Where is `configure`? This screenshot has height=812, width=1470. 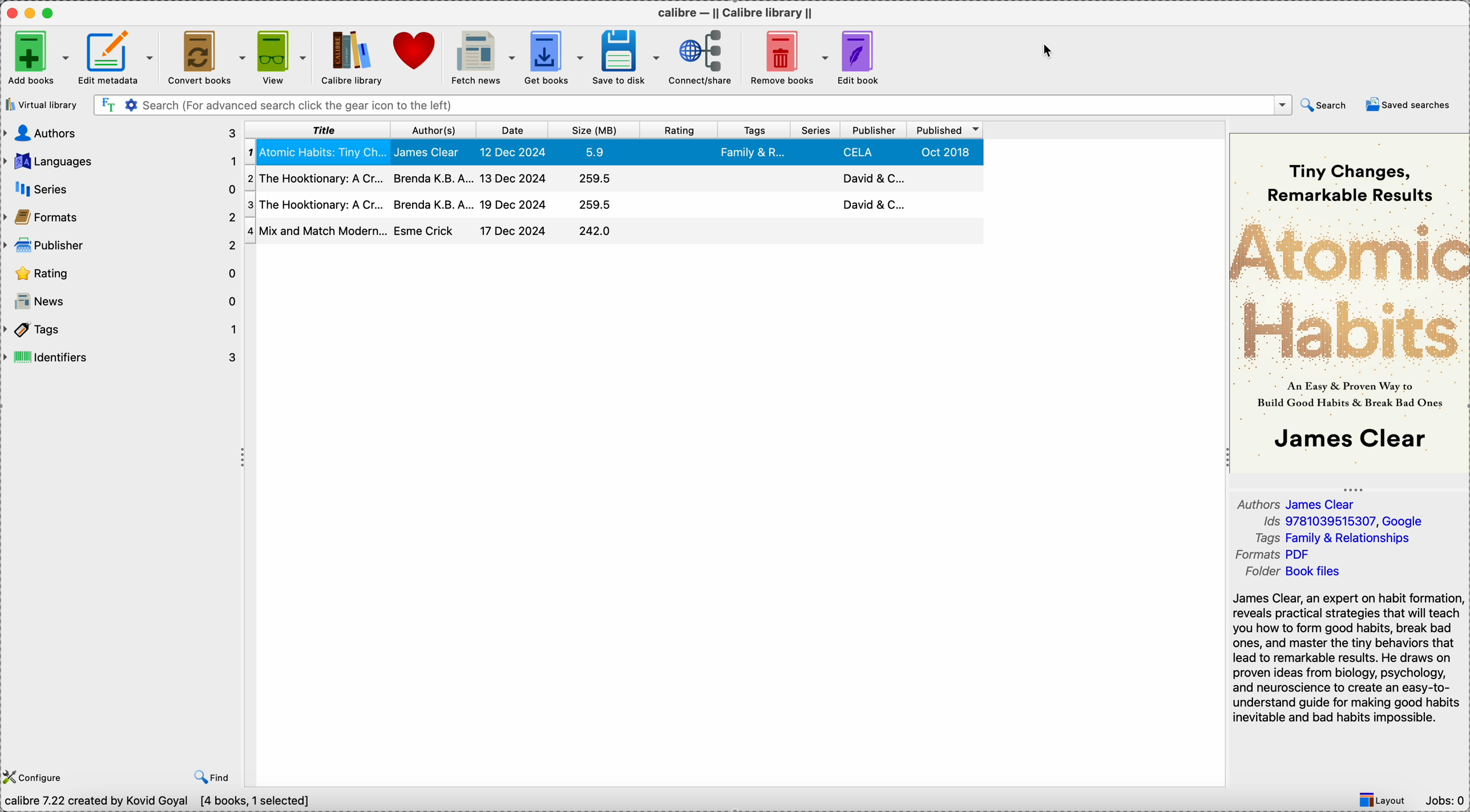 configure is located at coordinates (34, 777).